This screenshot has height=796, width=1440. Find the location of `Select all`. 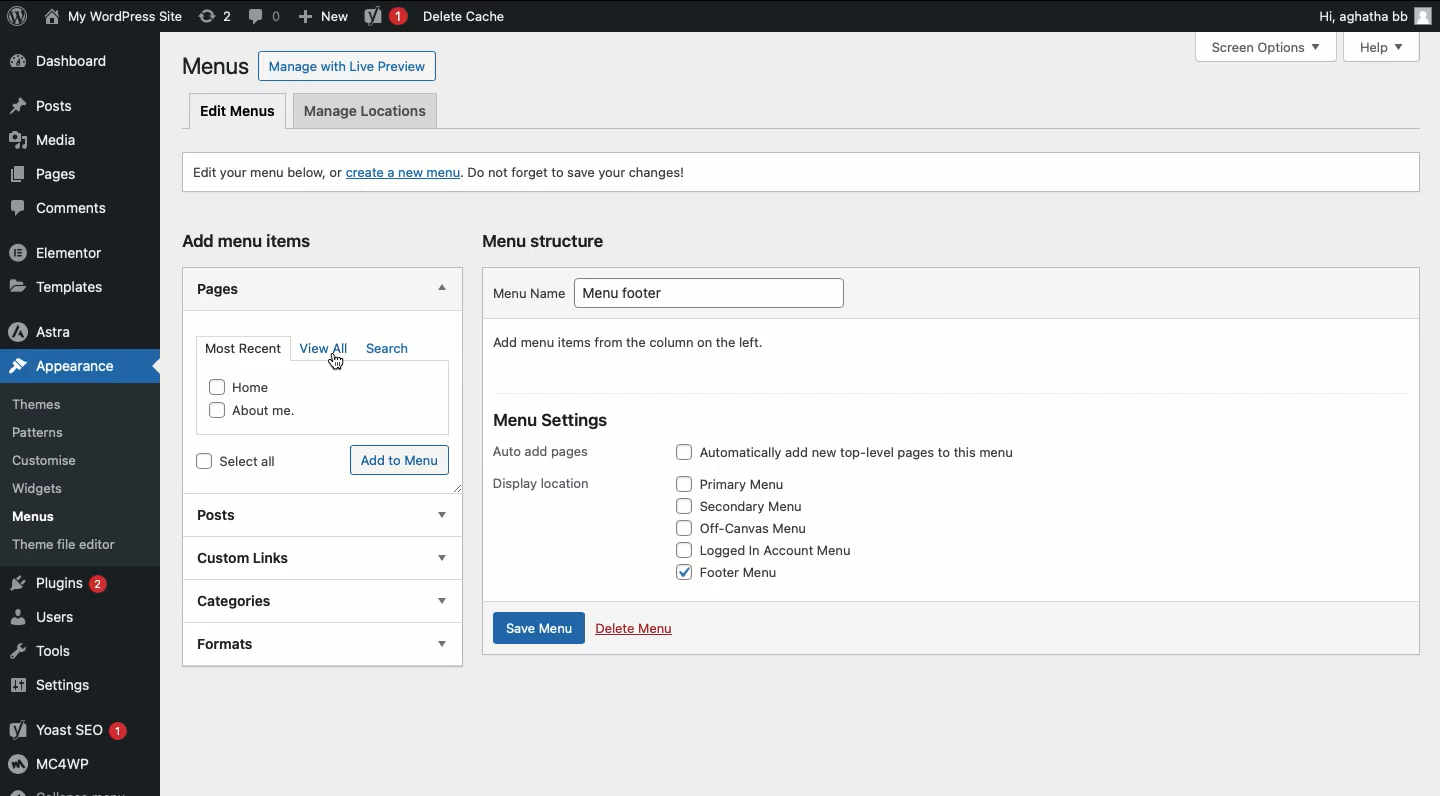

Select all is located at coordinates (270, 461).